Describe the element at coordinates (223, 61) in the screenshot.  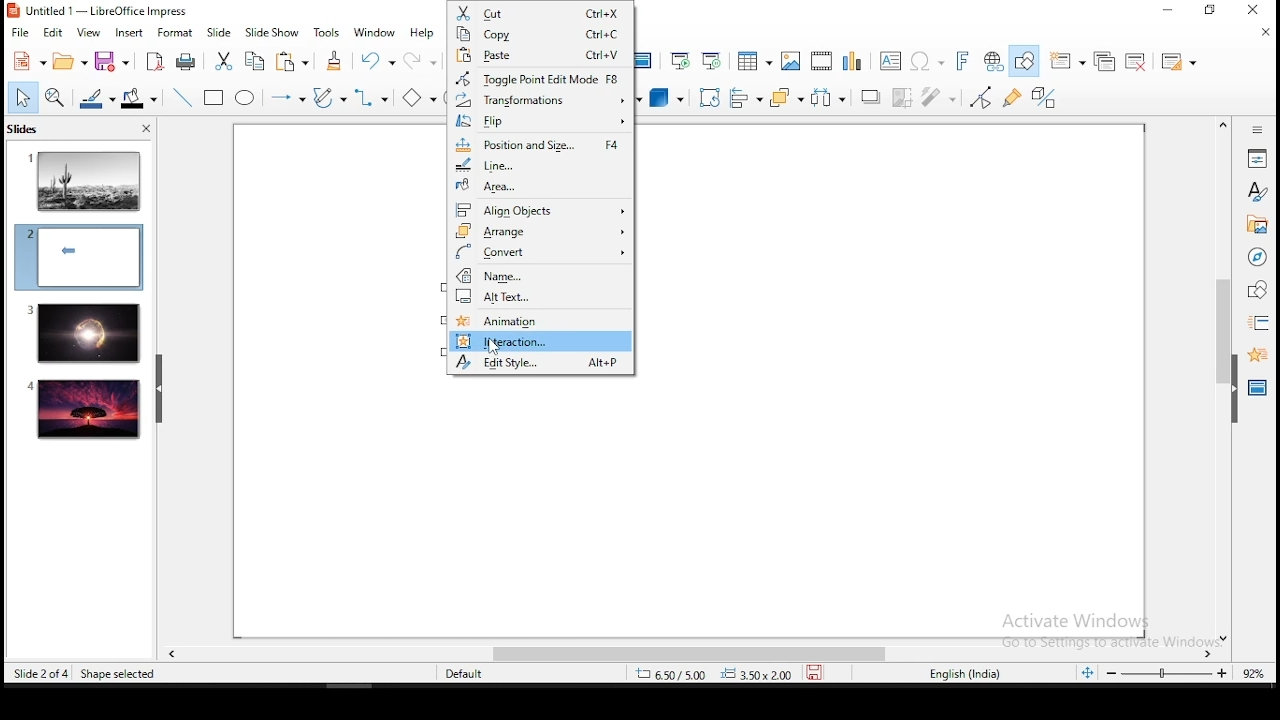
I see `cut` at that location.